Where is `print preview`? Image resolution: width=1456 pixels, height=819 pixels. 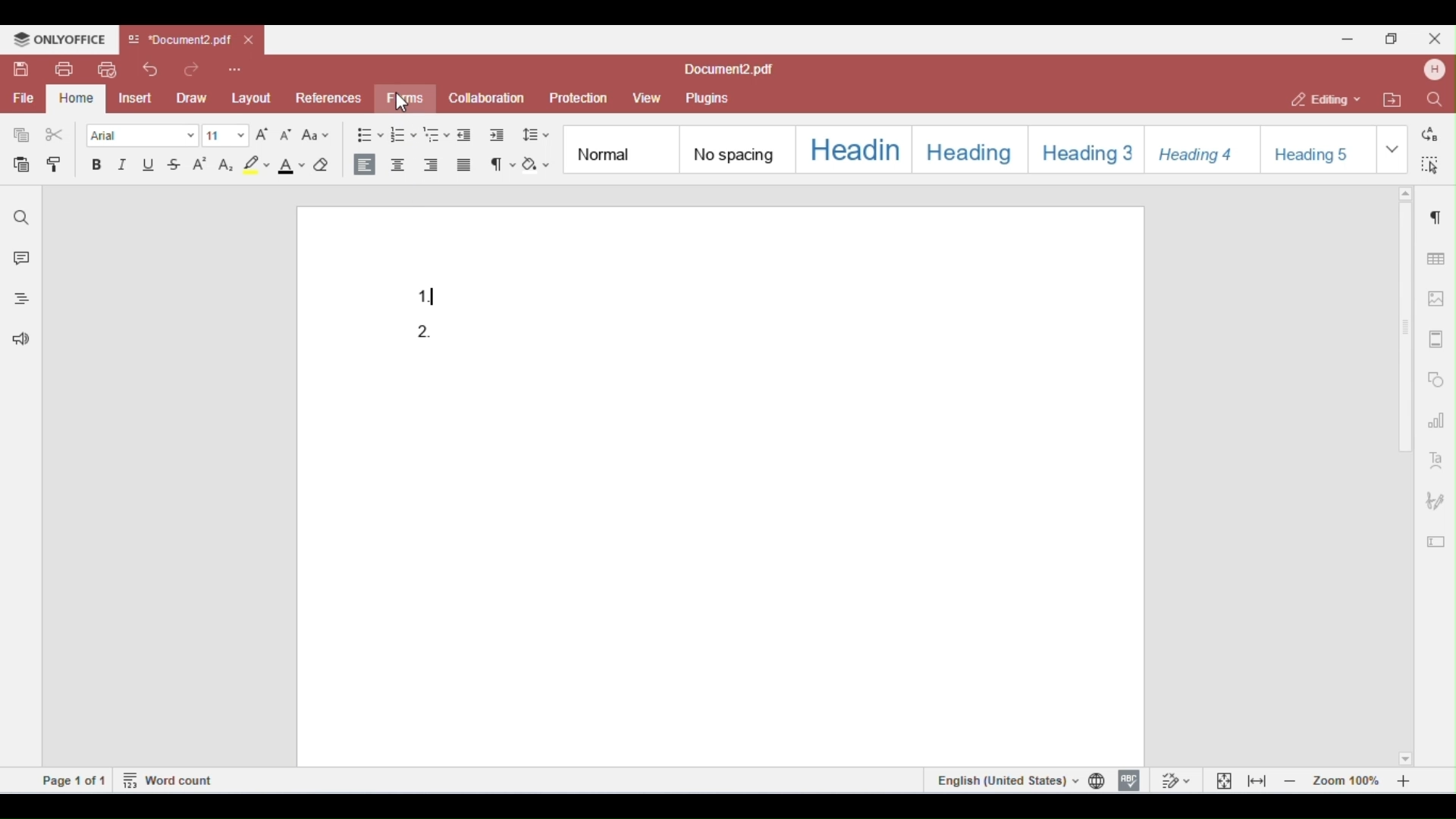
print preview is located at coordinates (106, 70).